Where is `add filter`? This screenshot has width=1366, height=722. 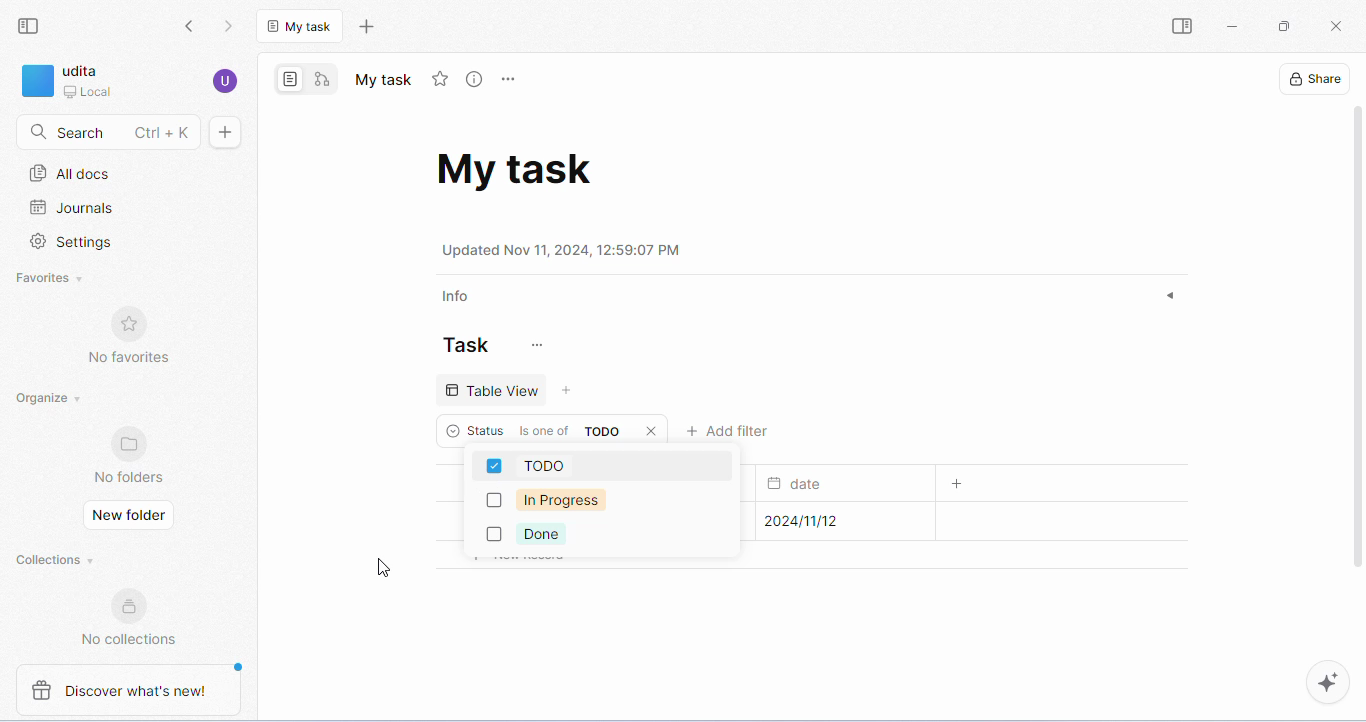 add filter is located at coordinates (726, 429).